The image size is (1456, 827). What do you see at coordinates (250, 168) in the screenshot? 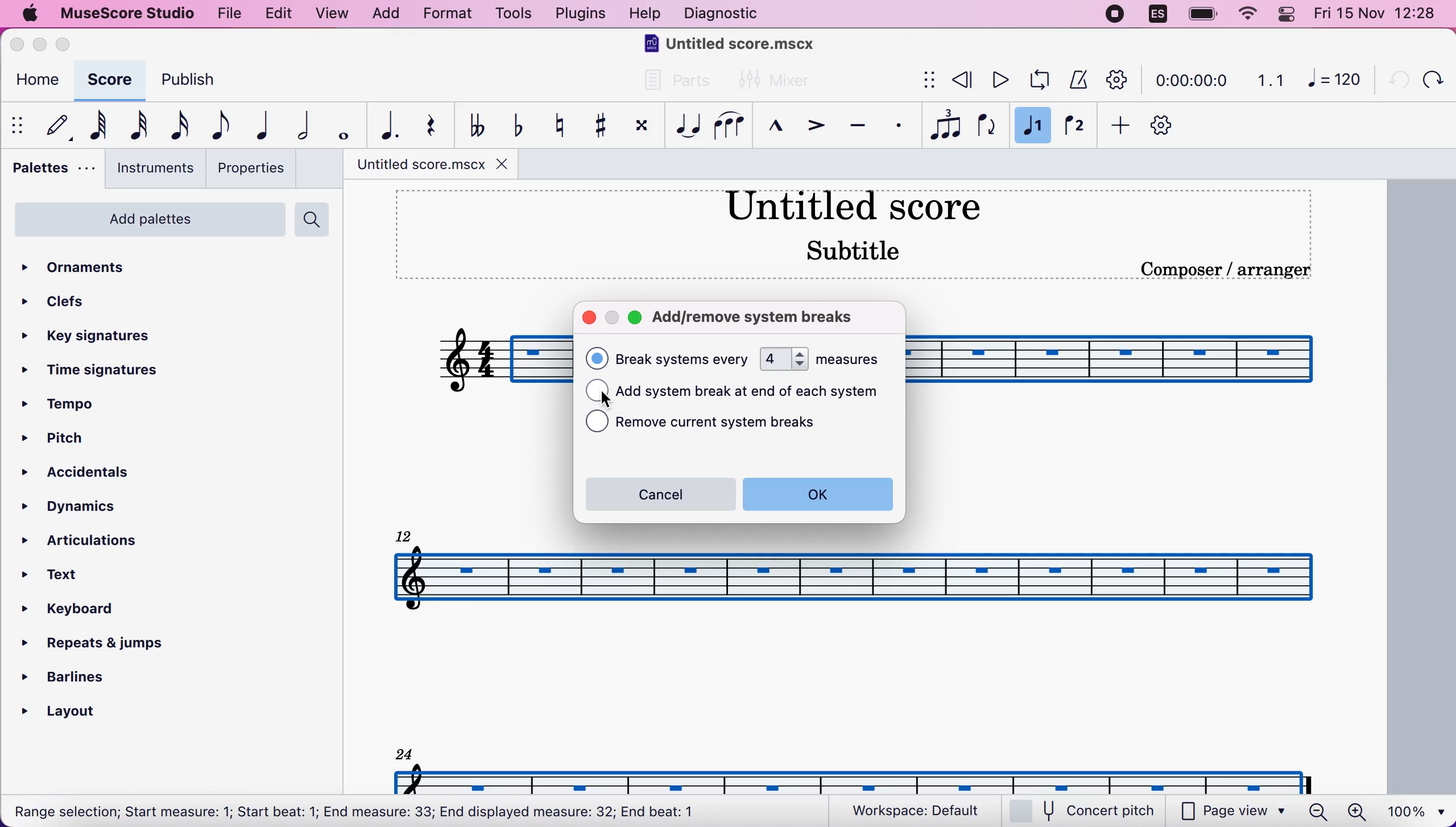
I see `properties` at bounding box center [250, 168].